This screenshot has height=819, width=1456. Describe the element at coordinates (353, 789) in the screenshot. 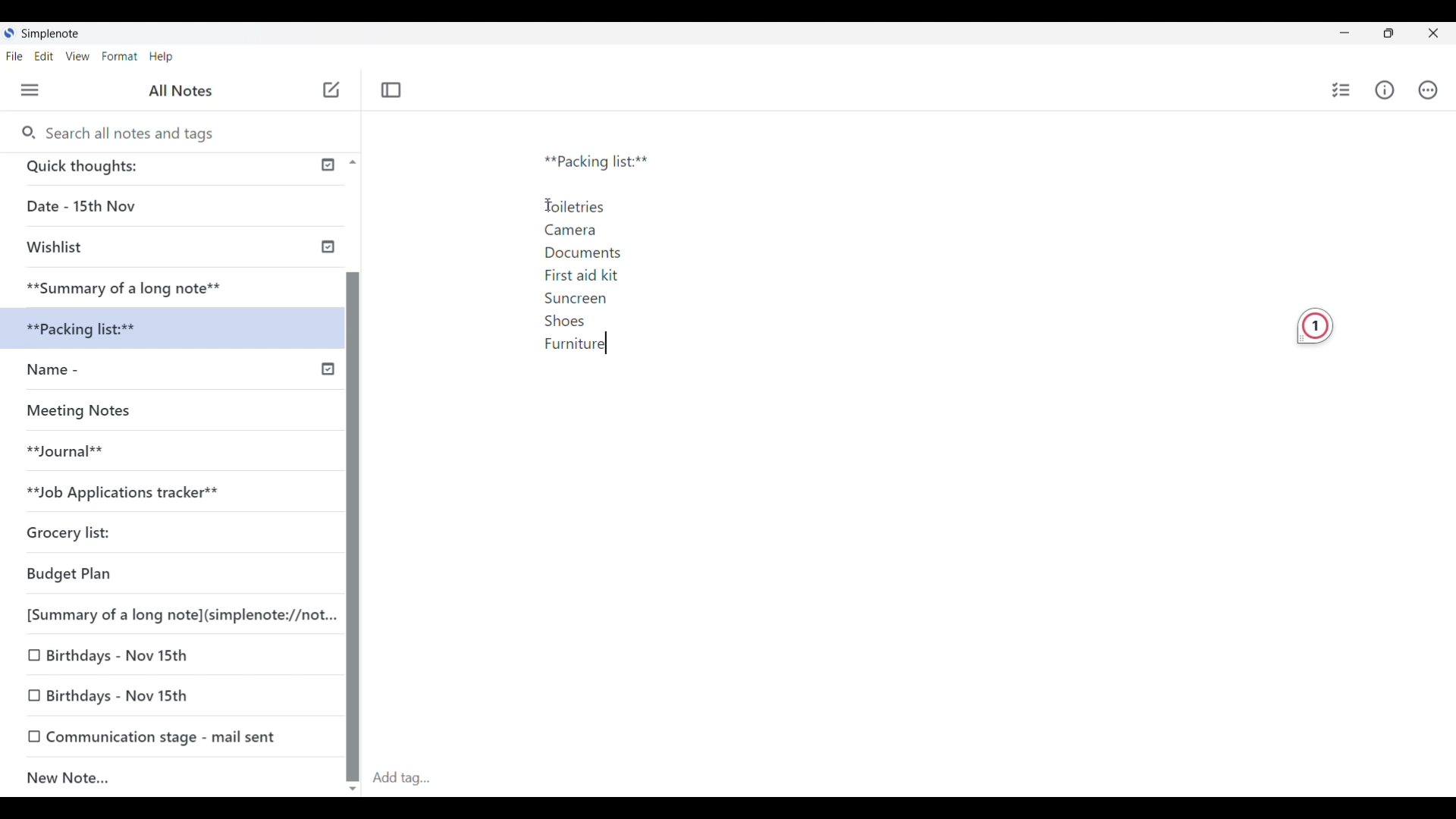

I see `Quick slide to bottom` at that location.